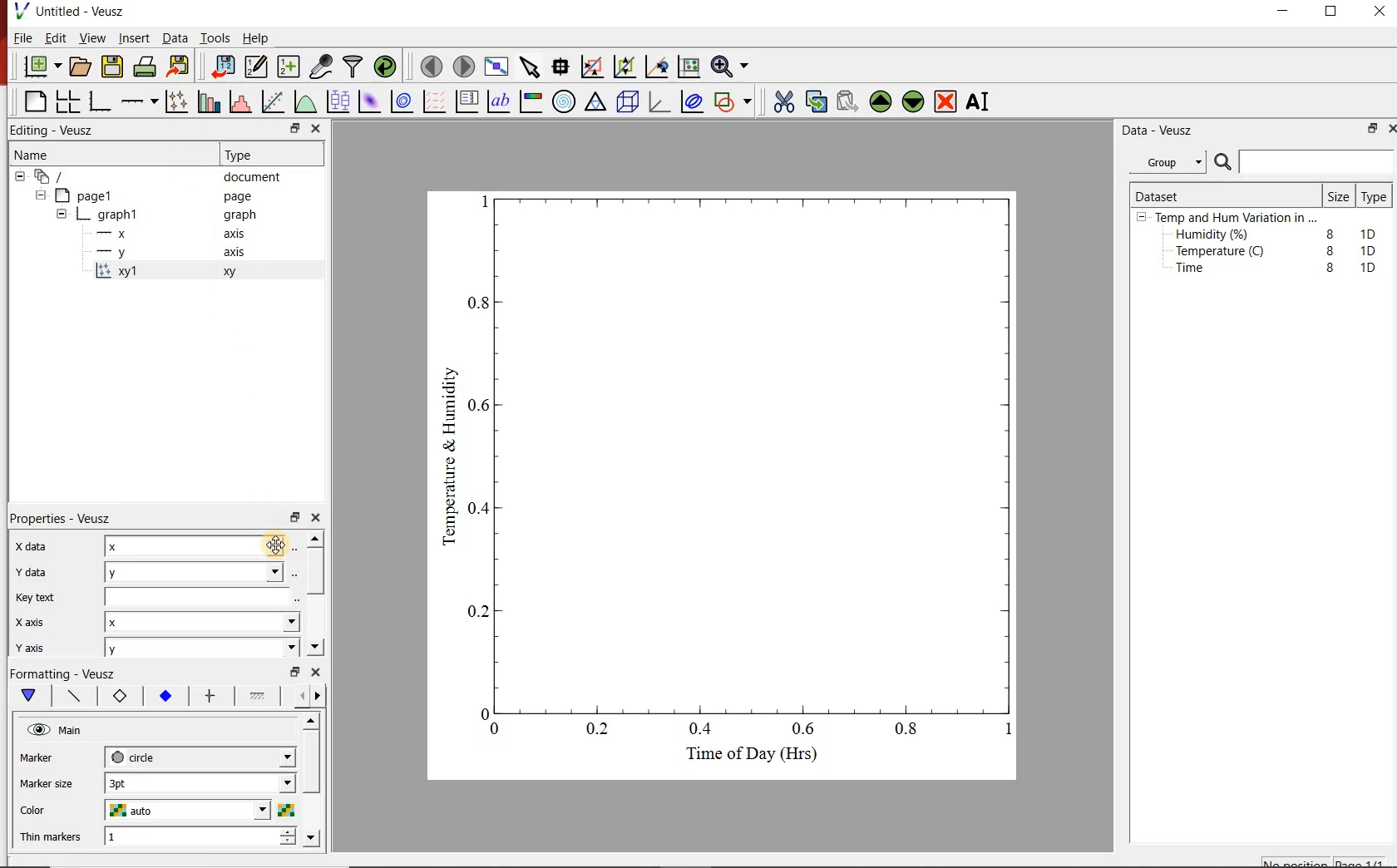  What do you see at coordinates (307, 104) in the screenshot?
I see `plot a function` at bounding box center [307, 104].